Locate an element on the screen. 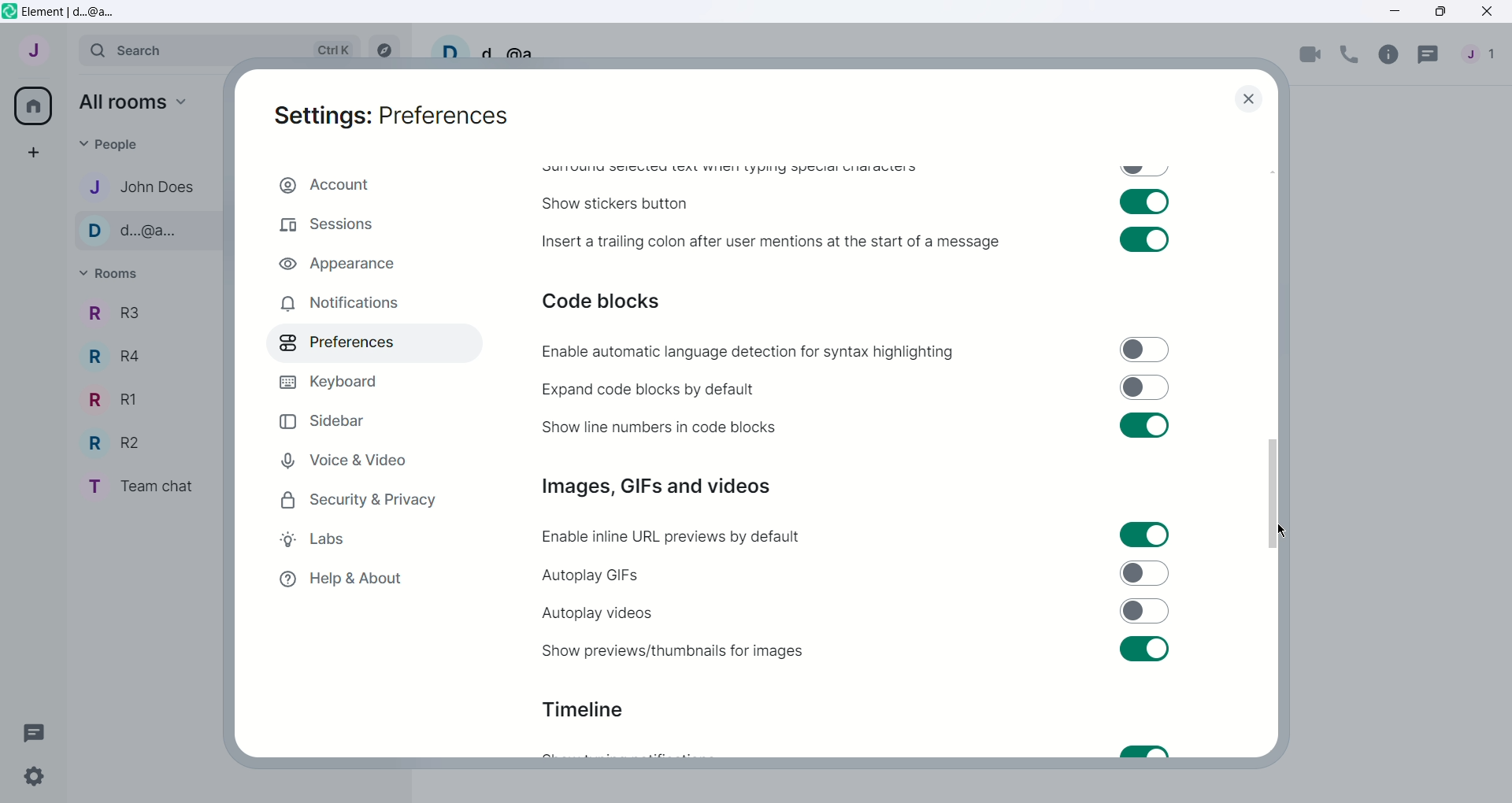 The width and height of the screenshot is (1512, 803). People  is located at coordinates (113, 146).